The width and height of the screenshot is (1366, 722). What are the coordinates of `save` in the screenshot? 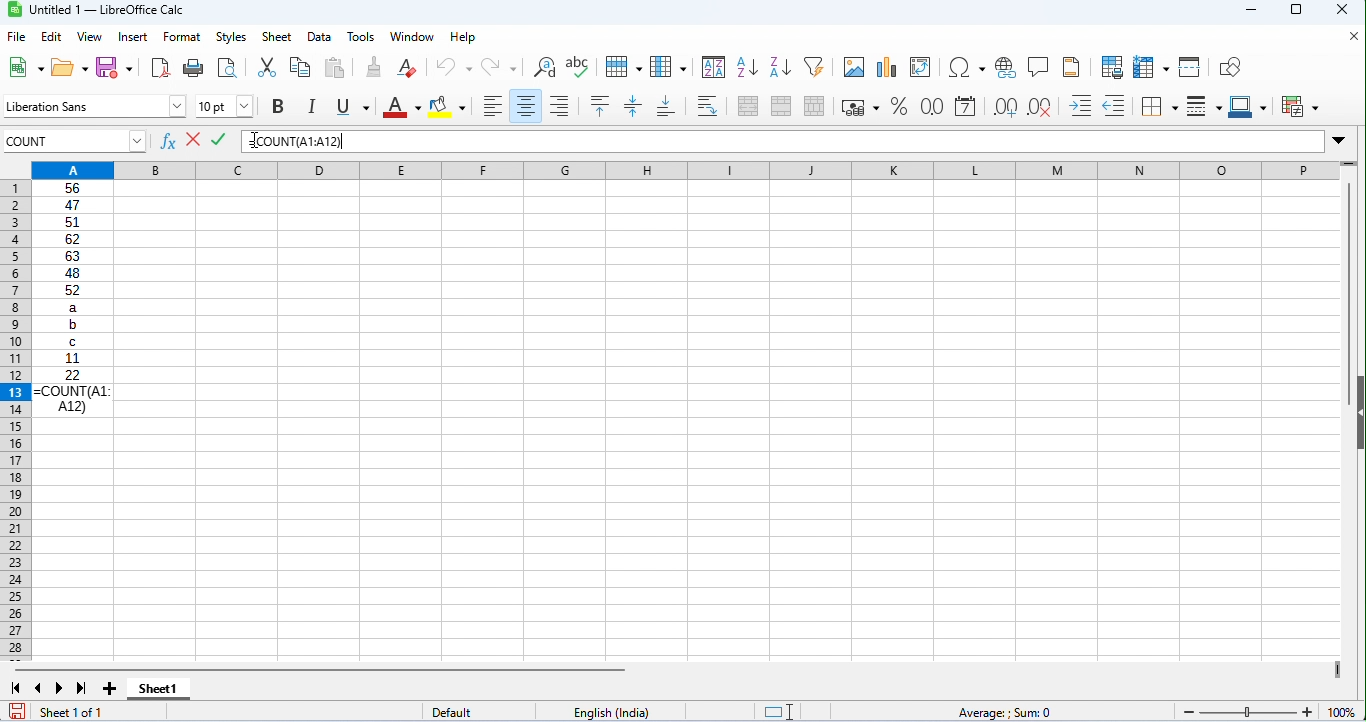 It's located at (116, 68).